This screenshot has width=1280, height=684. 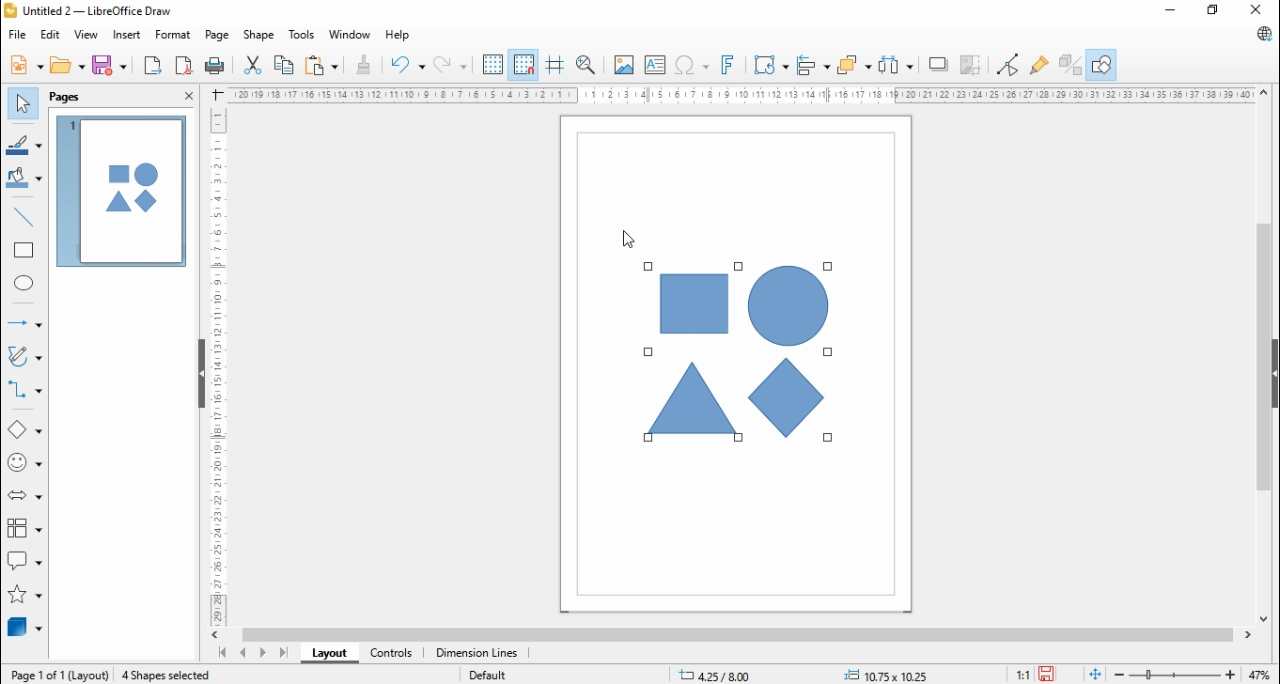 What do you see at coordinates (789, 399) in the screenshot?
I see `shape 4` at bounding box center [789, 399].